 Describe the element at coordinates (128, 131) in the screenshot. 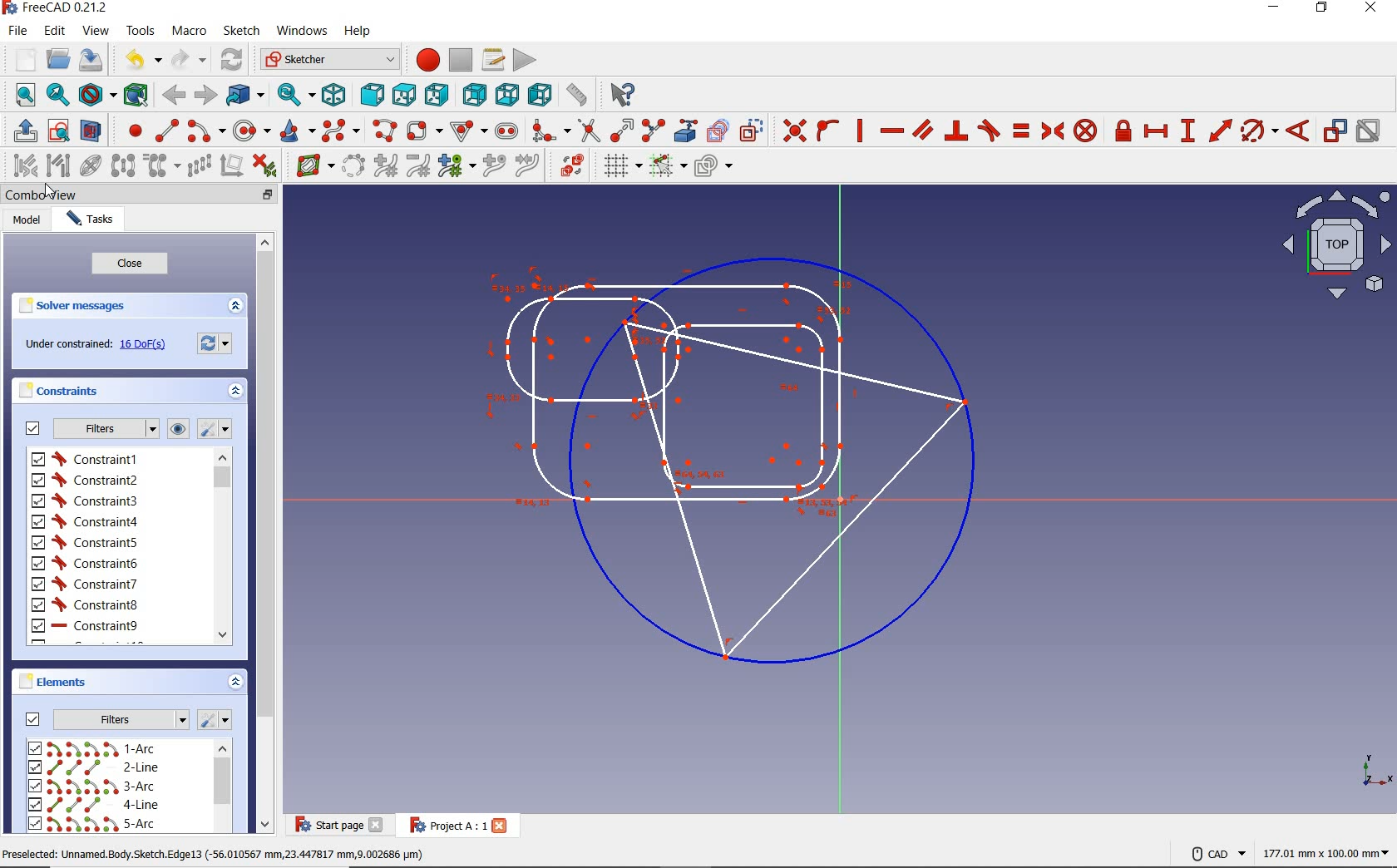

I see `create point` at that location.